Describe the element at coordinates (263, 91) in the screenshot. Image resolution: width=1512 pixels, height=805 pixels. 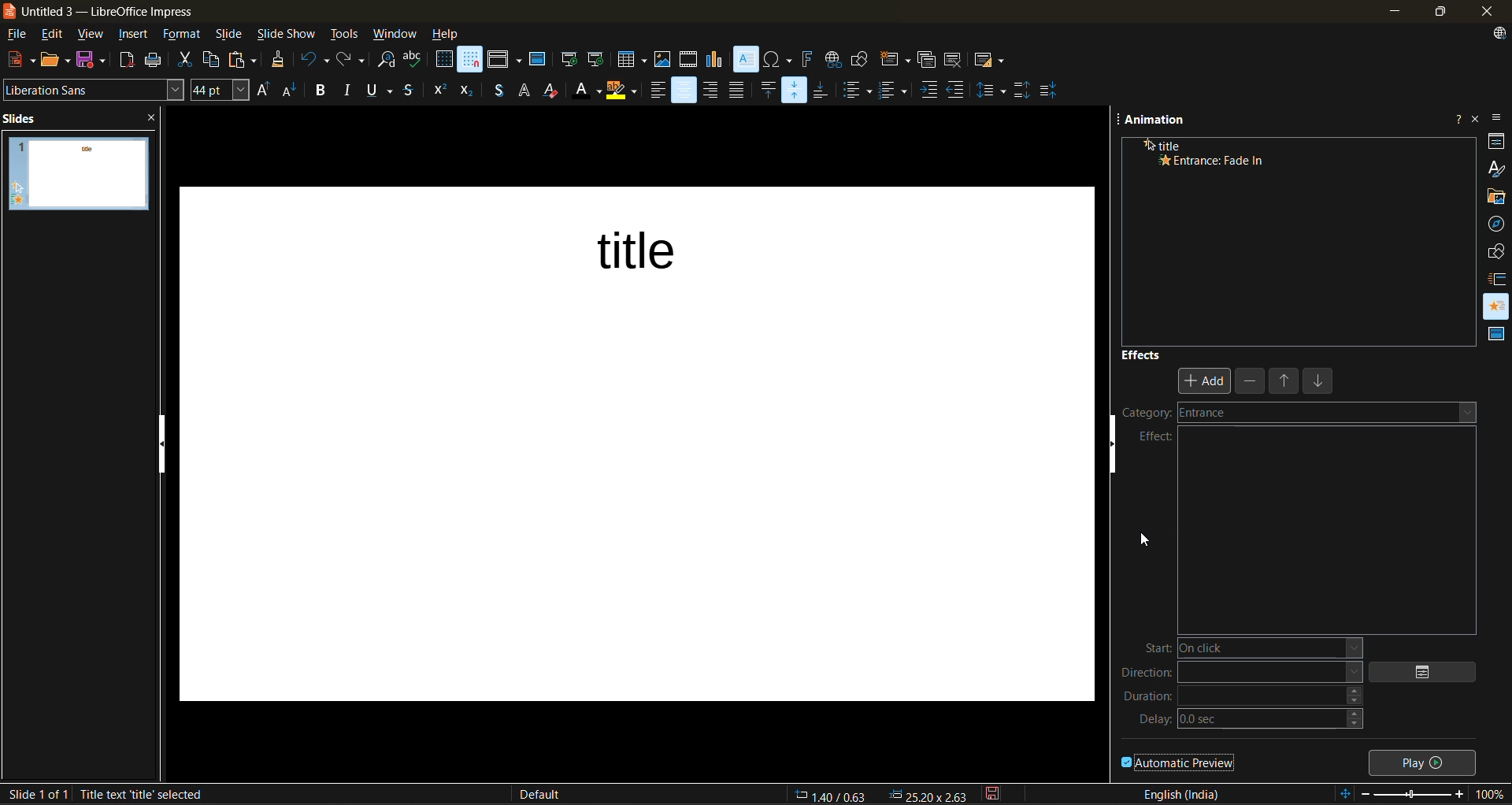
I see `increase font size` at that location.